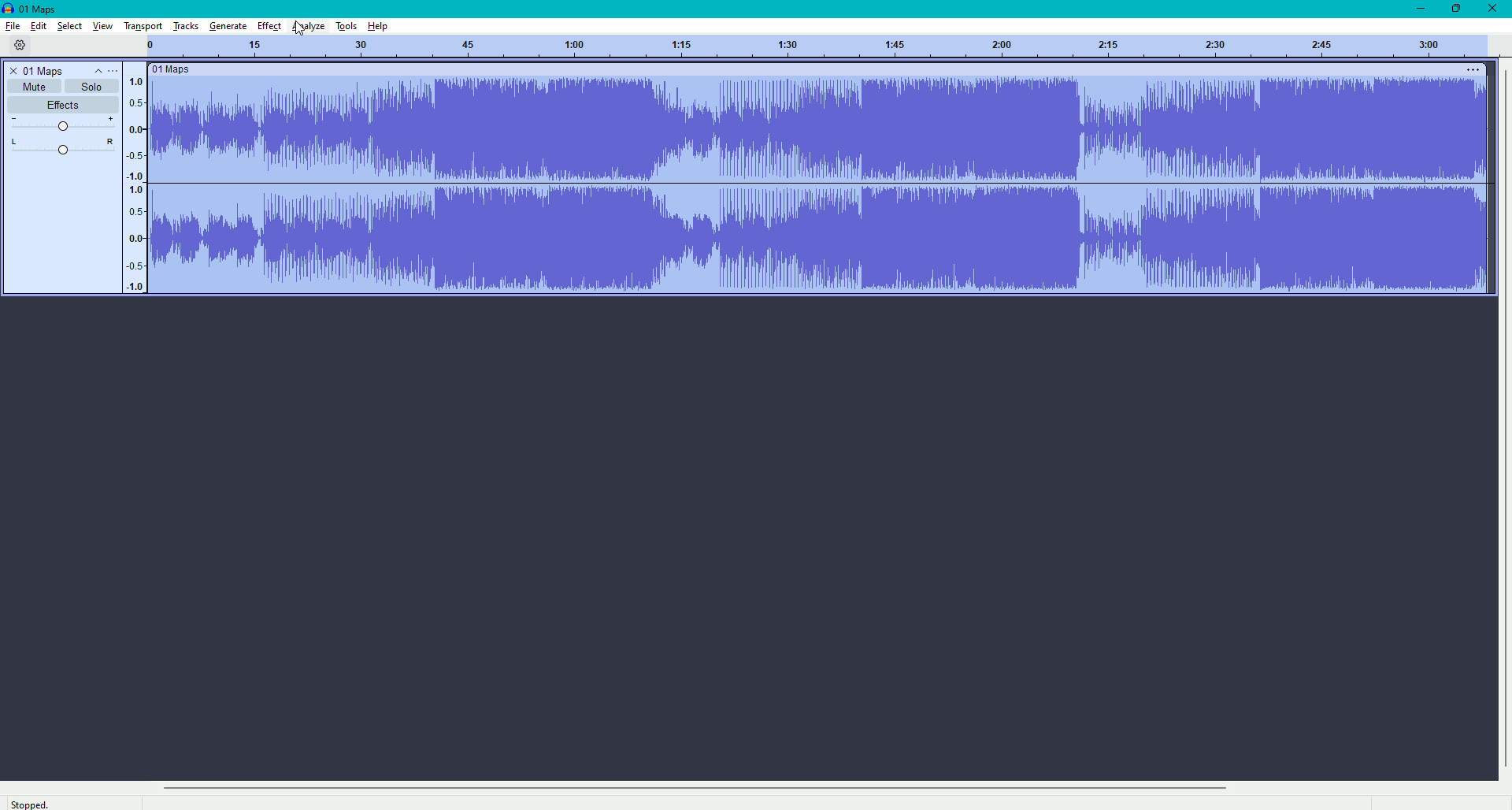 Image resolution: width=1512 pixels, height=810 pixels. What do you see at coordinates (61, 105) in the screenshot?
I see `Effects` at bounding box center [61, 105].